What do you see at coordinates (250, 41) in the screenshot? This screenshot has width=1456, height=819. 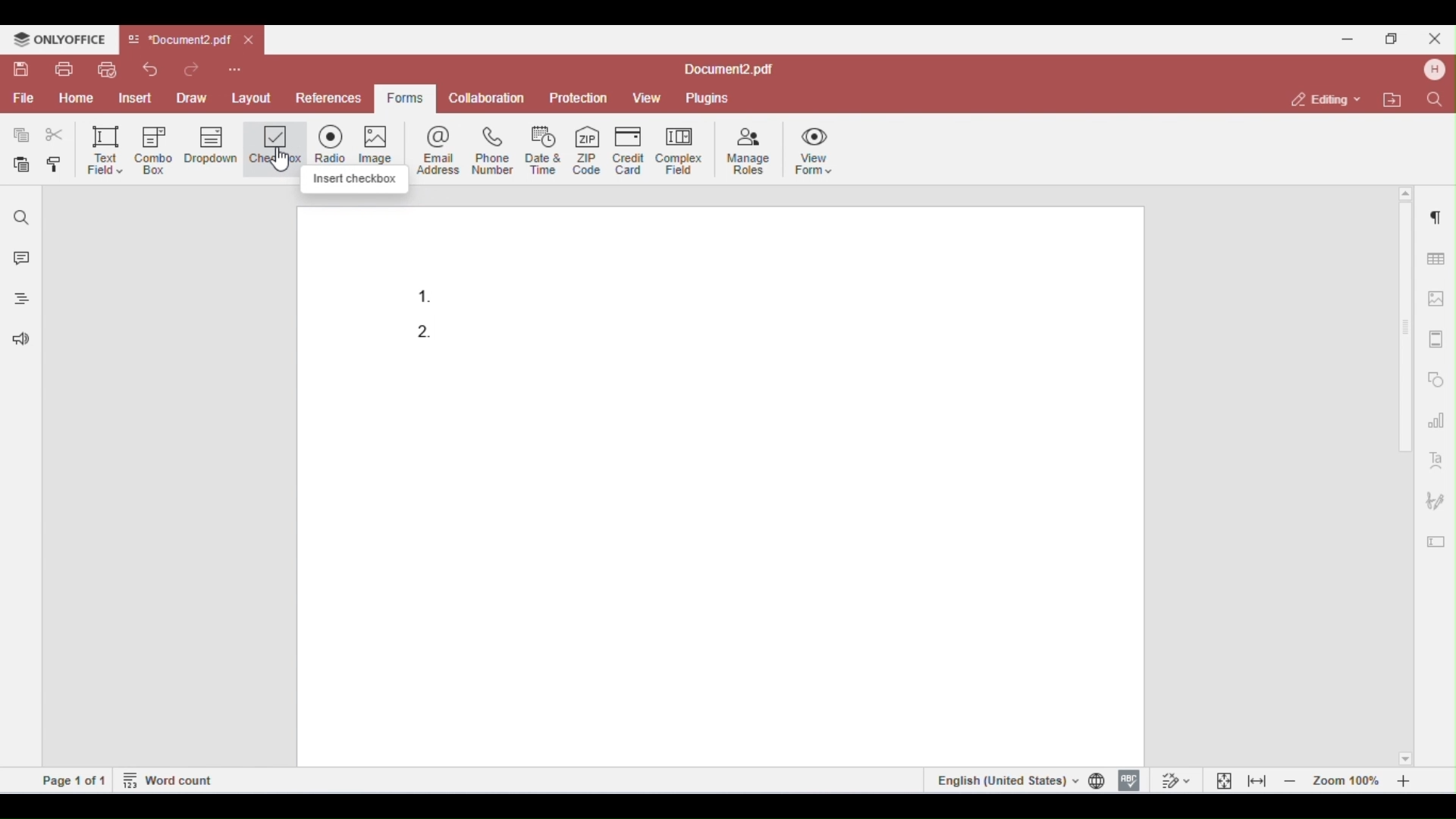 I see `close` at bounding box center [250, 41].